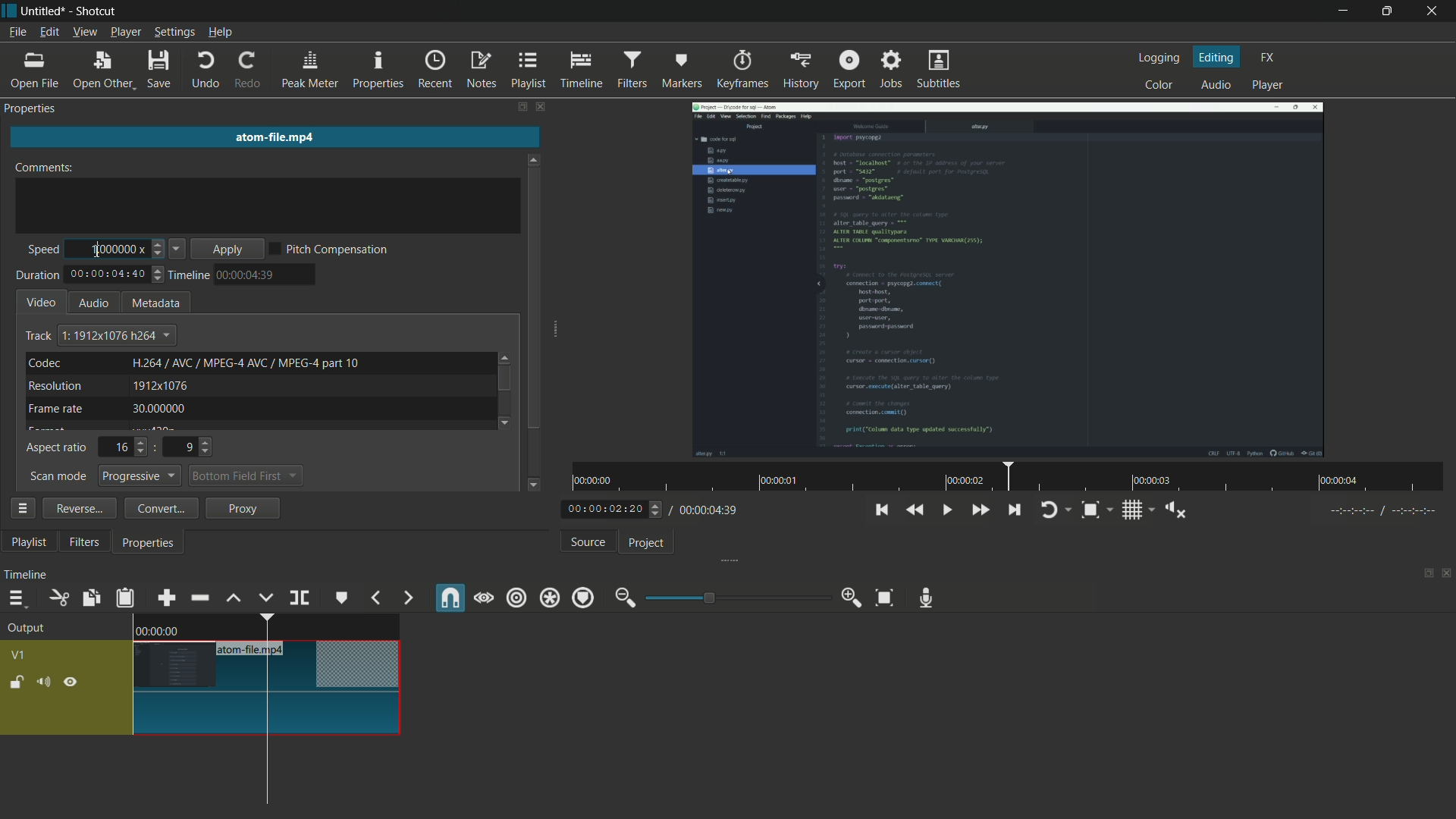 Image resolution: width=1456 pixels, height=819 pixels. I want to click on close timeline, so click(1447, 576).